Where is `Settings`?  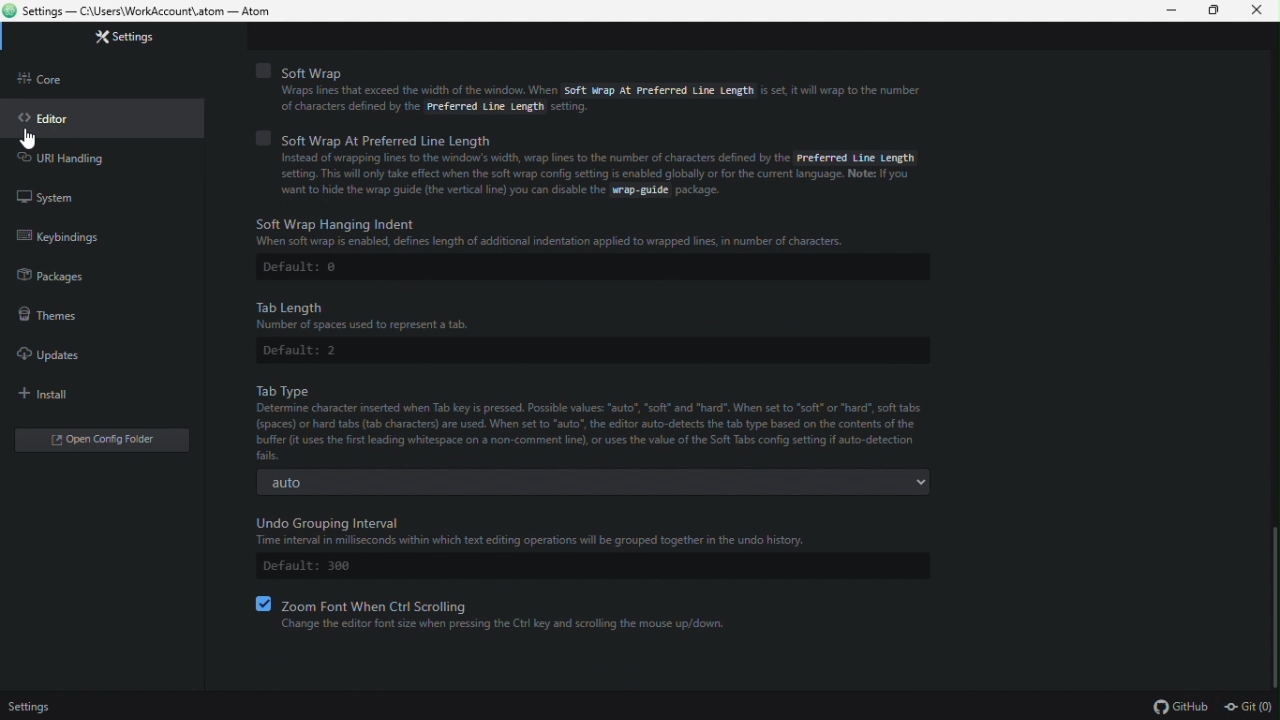 Settings is located at coordinates (135, 39).